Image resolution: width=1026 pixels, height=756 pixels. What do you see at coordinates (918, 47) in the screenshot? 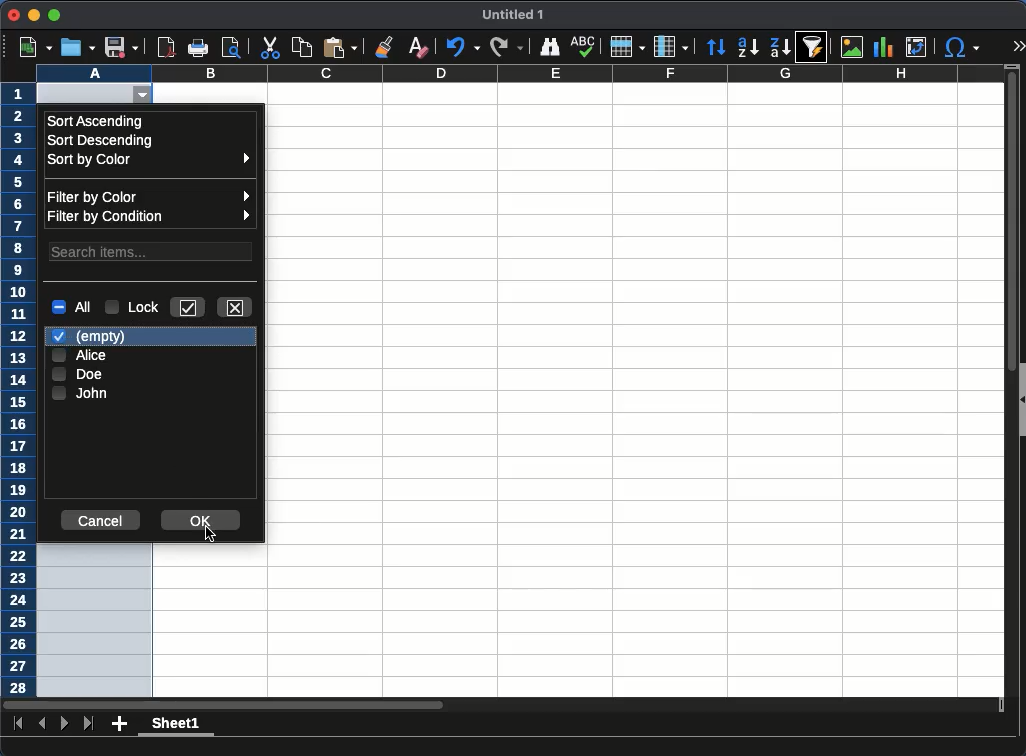
I see `pivot table` at bounding box center [918, 47].